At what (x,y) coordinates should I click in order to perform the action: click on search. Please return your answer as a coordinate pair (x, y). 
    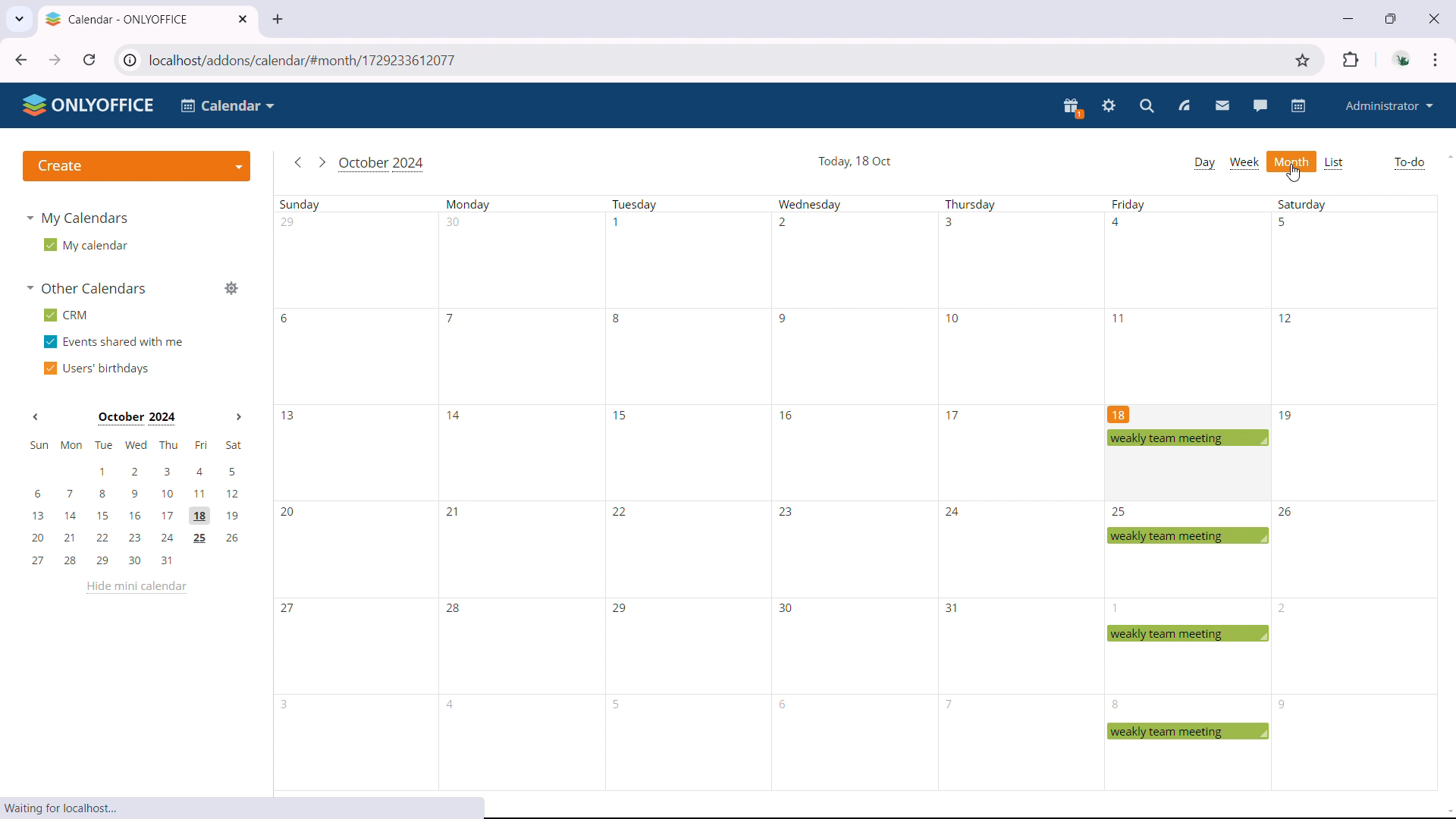
    Looking at the image, I should click on (1145, 106).